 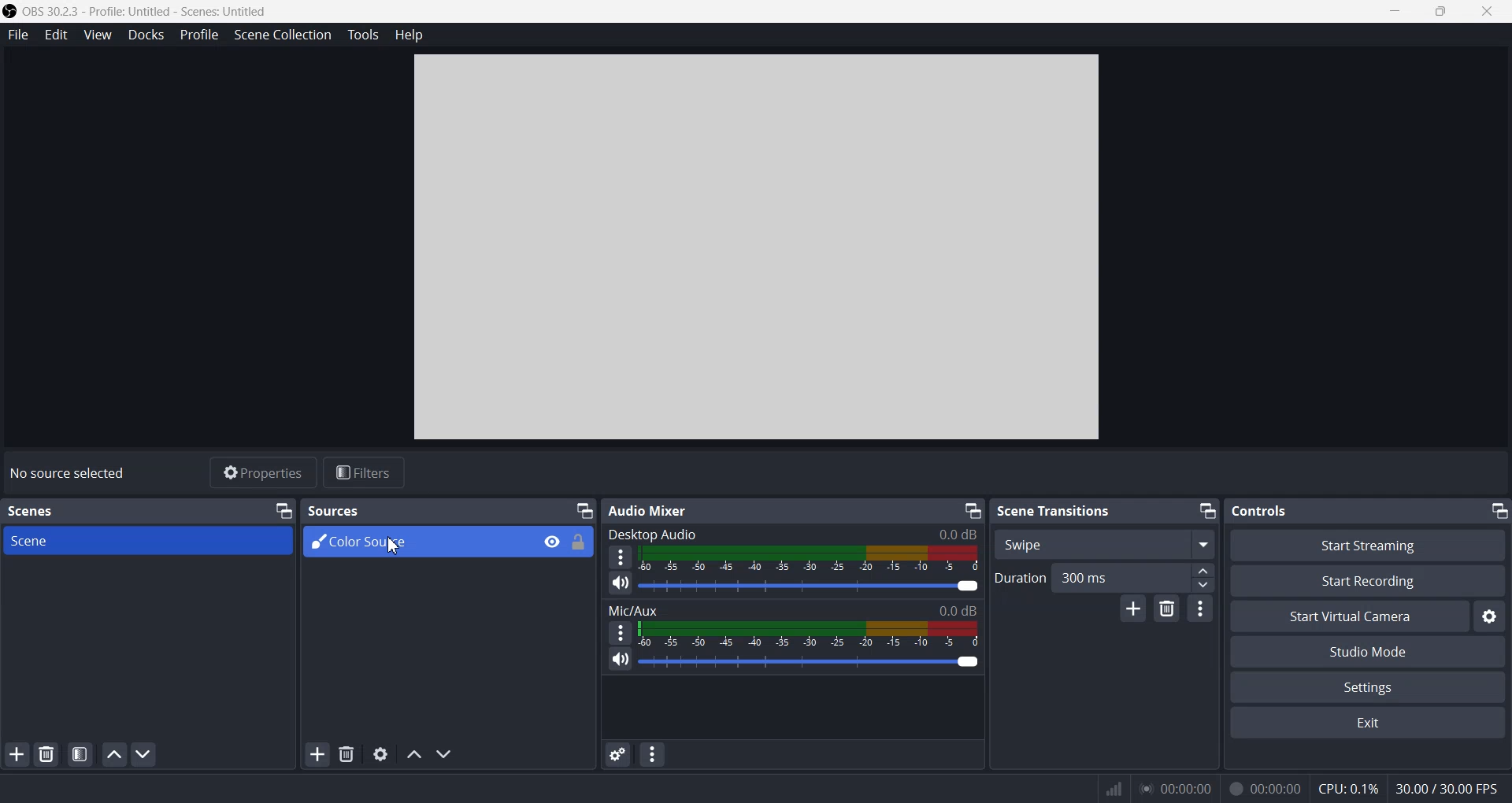 I want to click on Color Source, so click(x=415, y=542).